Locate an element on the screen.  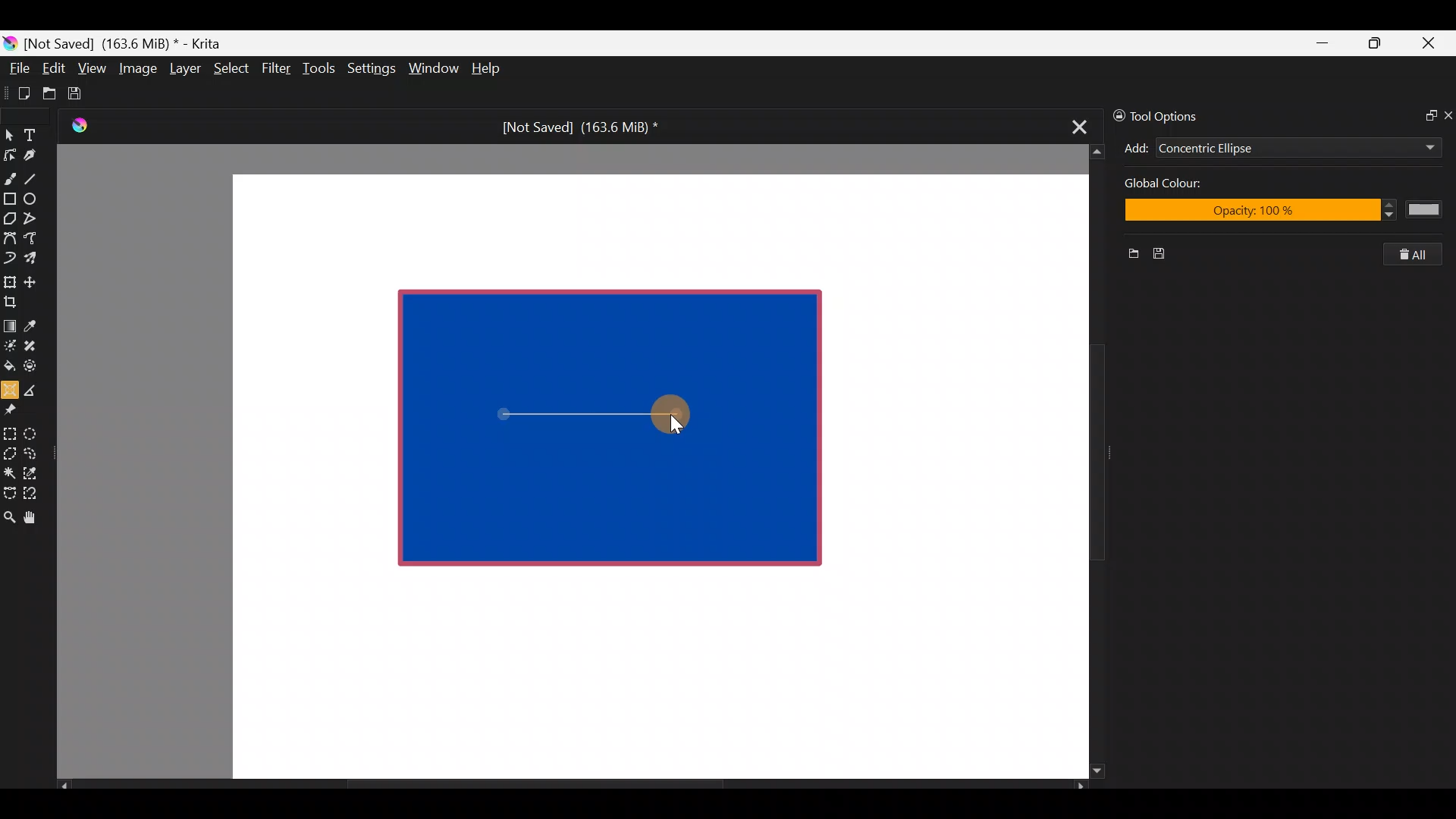
Contiguous selection tool is located at coordinates (9, 469).